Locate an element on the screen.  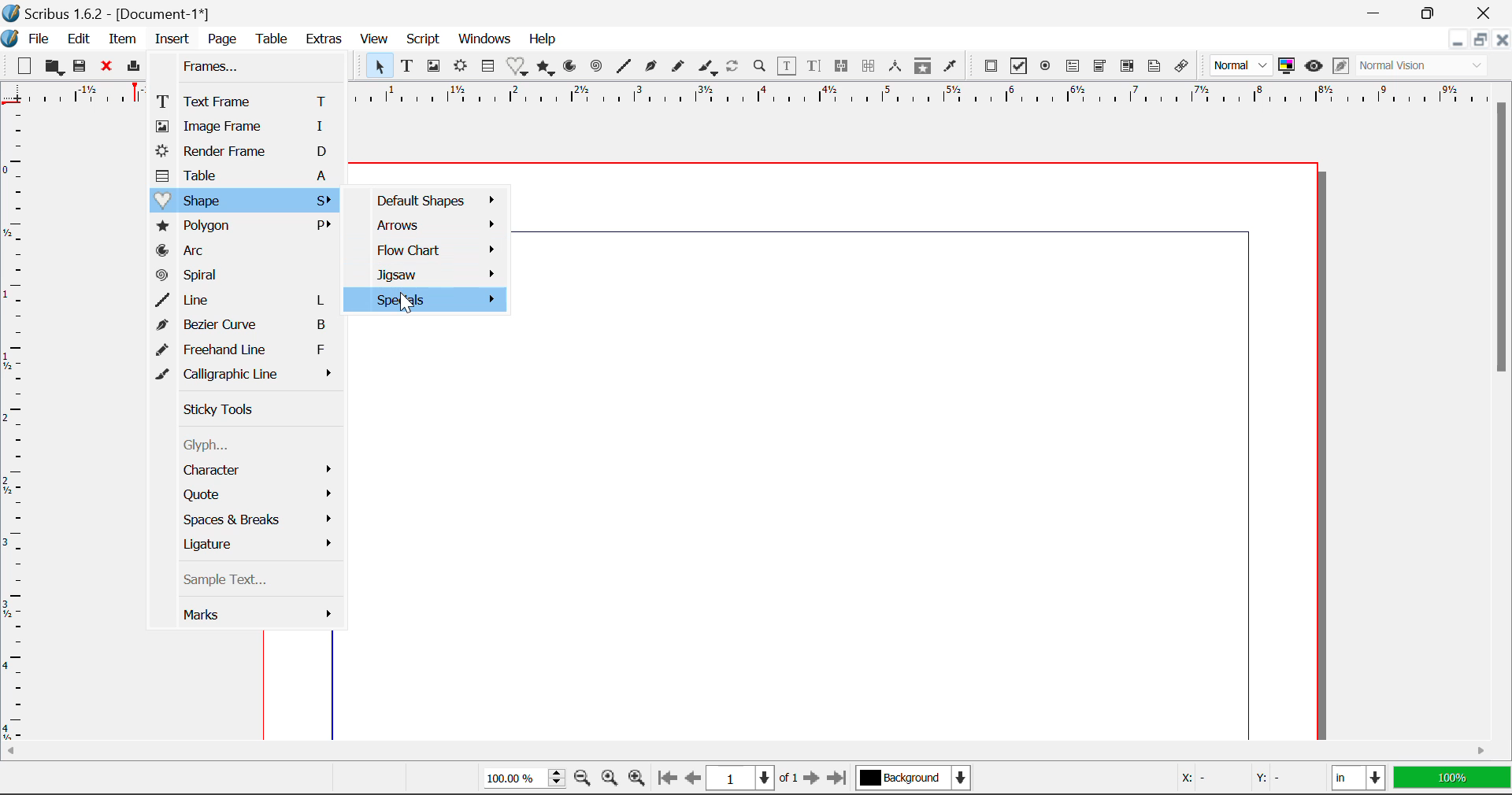
Default Shapes is located at coordinates (427, 197).